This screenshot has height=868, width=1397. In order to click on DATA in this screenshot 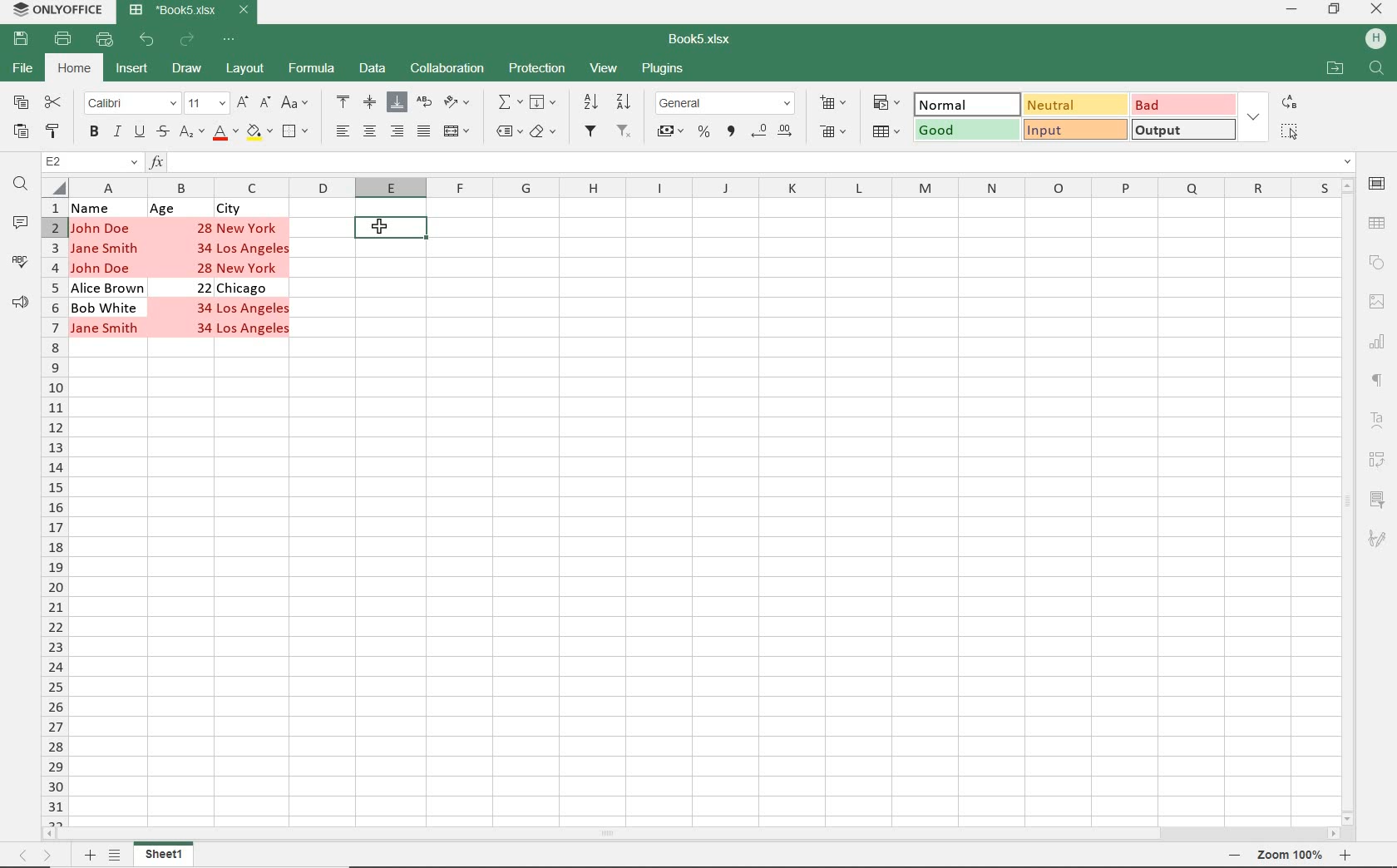, I will do `click(373, 72)`.